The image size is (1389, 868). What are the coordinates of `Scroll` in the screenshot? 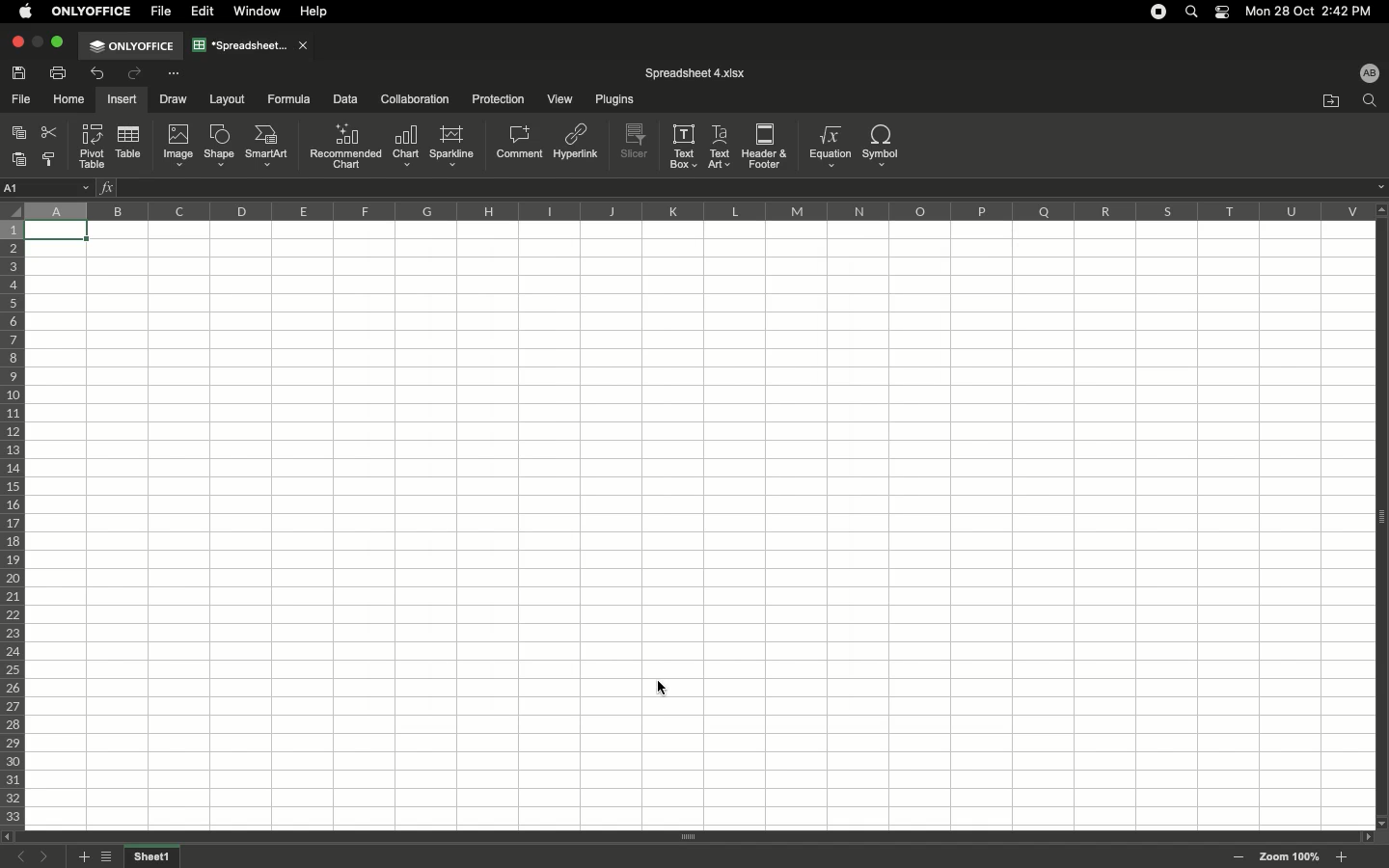 It's located at (688, 838).